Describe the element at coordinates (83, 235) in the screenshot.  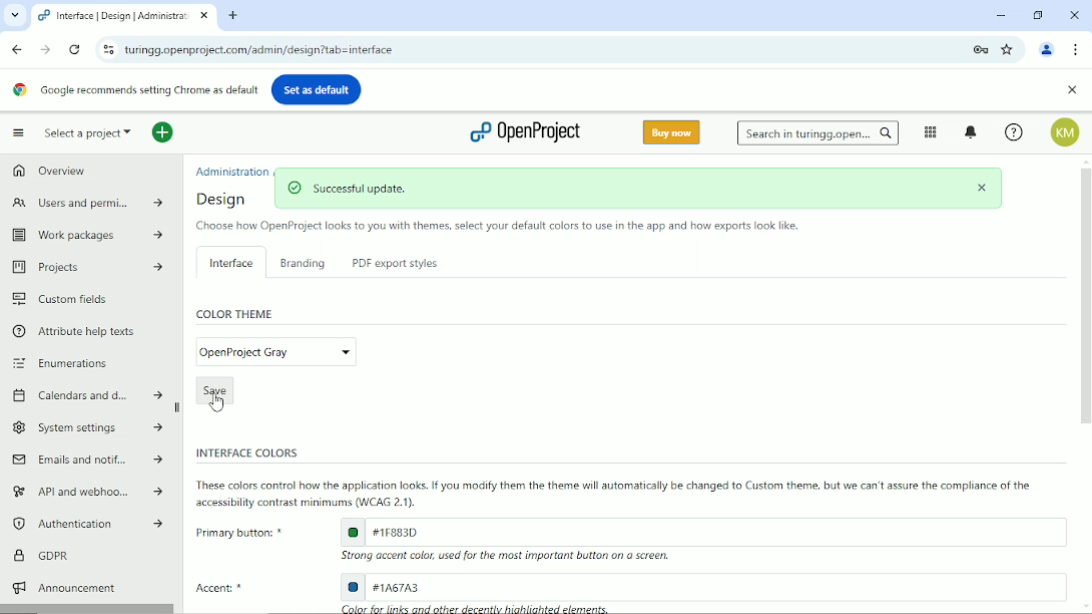
I see `Work packages` at that location.